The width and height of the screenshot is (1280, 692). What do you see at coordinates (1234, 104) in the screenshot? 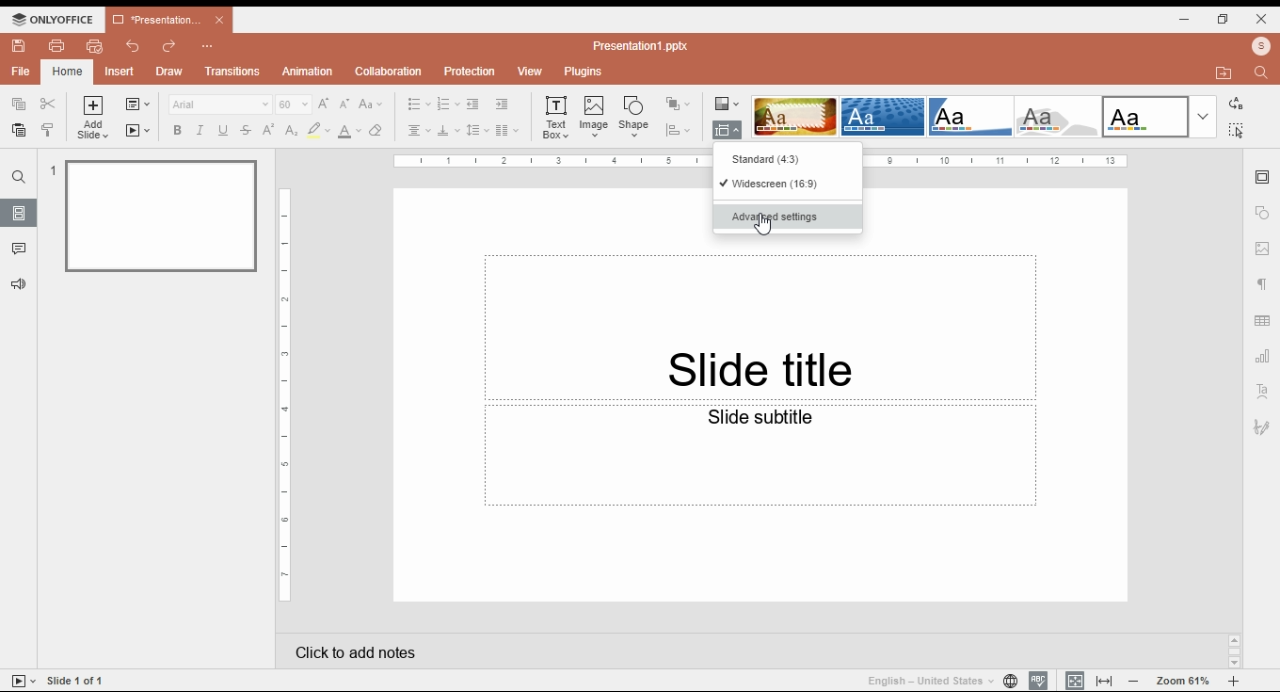
I see `replace` at bounding box center [1234, 104].